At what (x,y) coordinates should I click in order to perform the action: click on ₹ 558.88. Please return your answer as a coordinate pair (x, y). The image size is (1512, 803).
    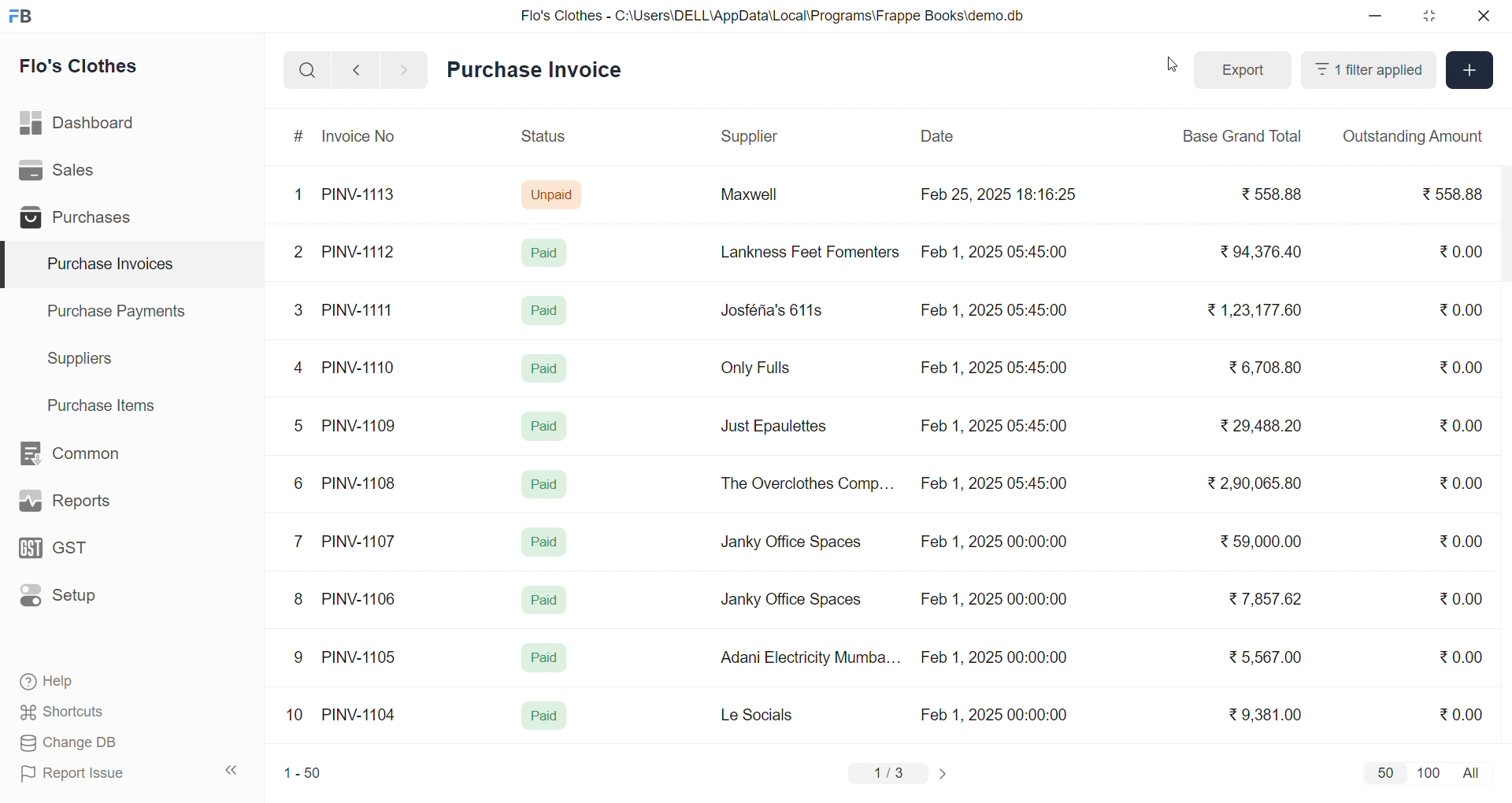
    Looking at the image, I should click on (1267, 194).